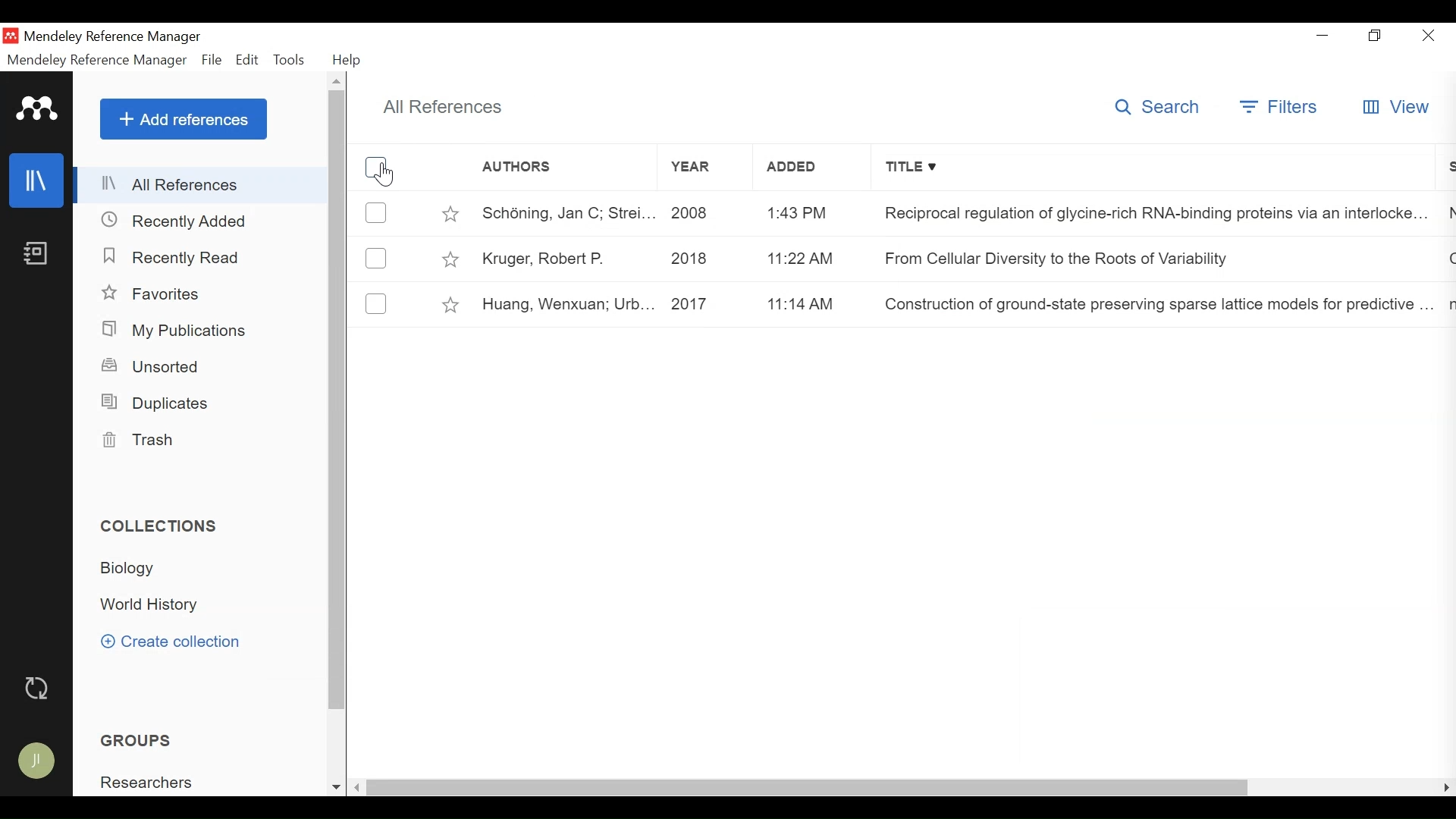 The image size is (1456, 819). I want to click on Groups , so click(131, 741).